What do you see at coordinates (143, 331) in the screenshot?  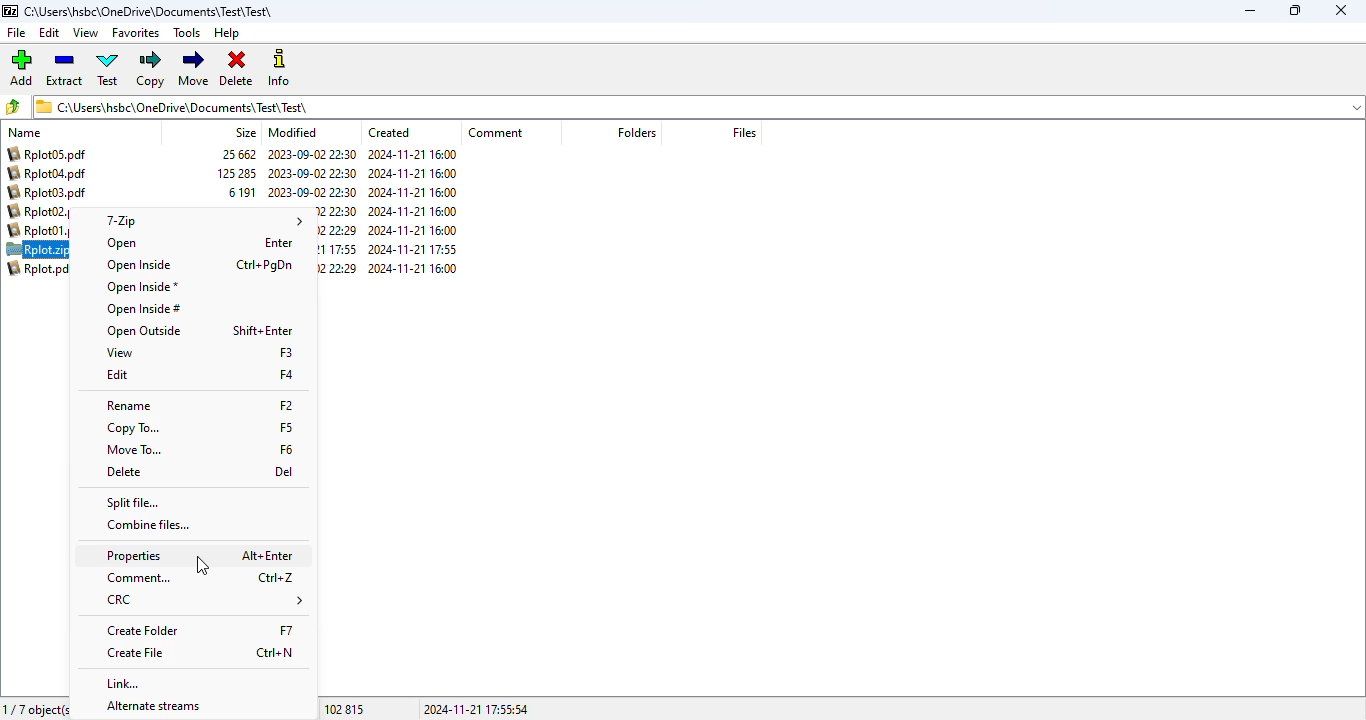 I see `open outside` at bounding box center [143, 331].